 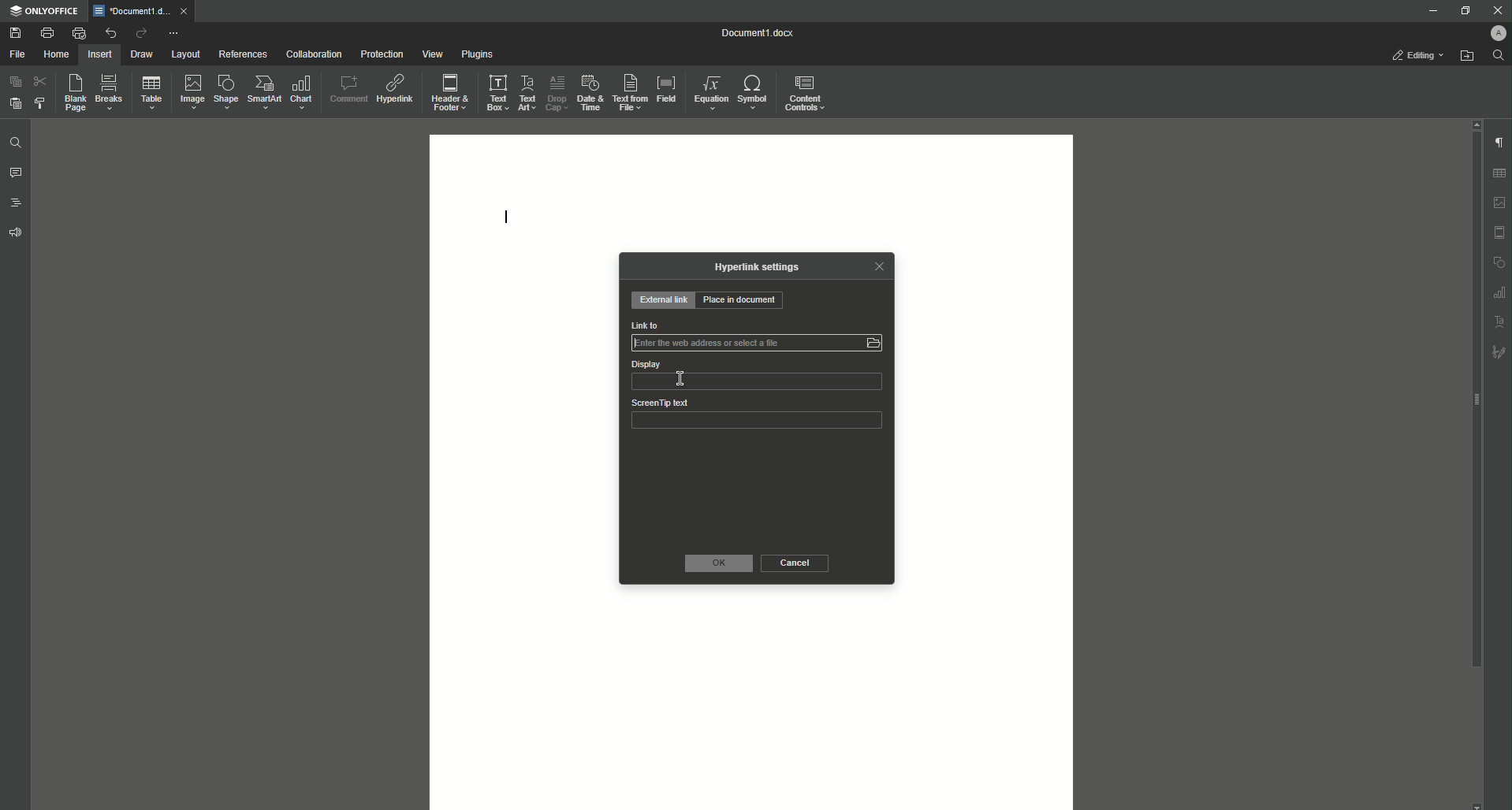 What do you see at coordinates (266, 92) in the screenshot?
I see `SmartArt` at bounding box center [266, 92].